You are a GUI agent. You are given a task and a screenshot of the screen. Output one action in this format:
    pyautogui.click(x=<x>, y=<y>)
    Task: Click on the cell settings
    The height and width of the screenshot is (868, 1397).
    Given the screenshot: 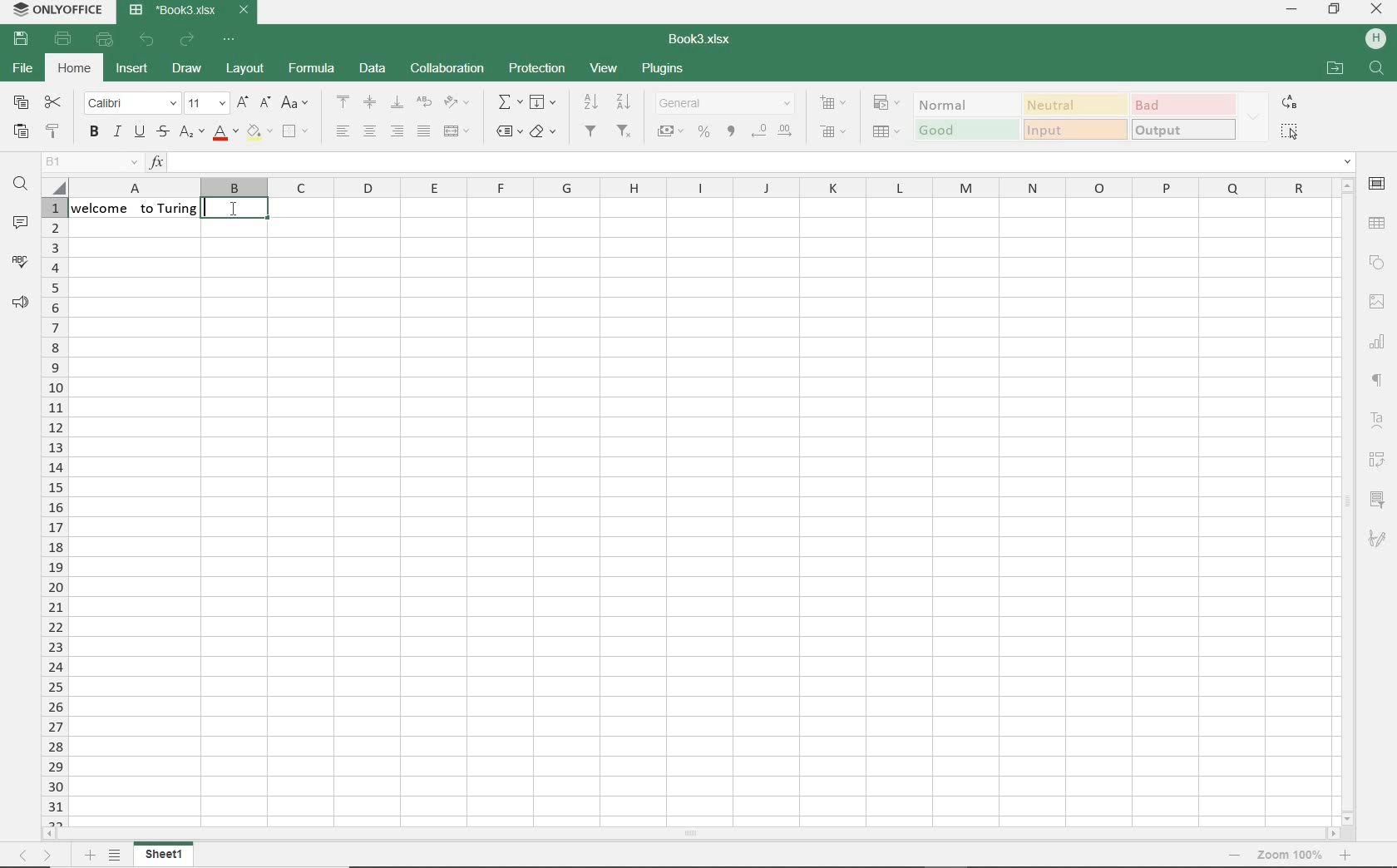 What is the action you would take?
    pyautogui.click(x=1379, y=184)
    